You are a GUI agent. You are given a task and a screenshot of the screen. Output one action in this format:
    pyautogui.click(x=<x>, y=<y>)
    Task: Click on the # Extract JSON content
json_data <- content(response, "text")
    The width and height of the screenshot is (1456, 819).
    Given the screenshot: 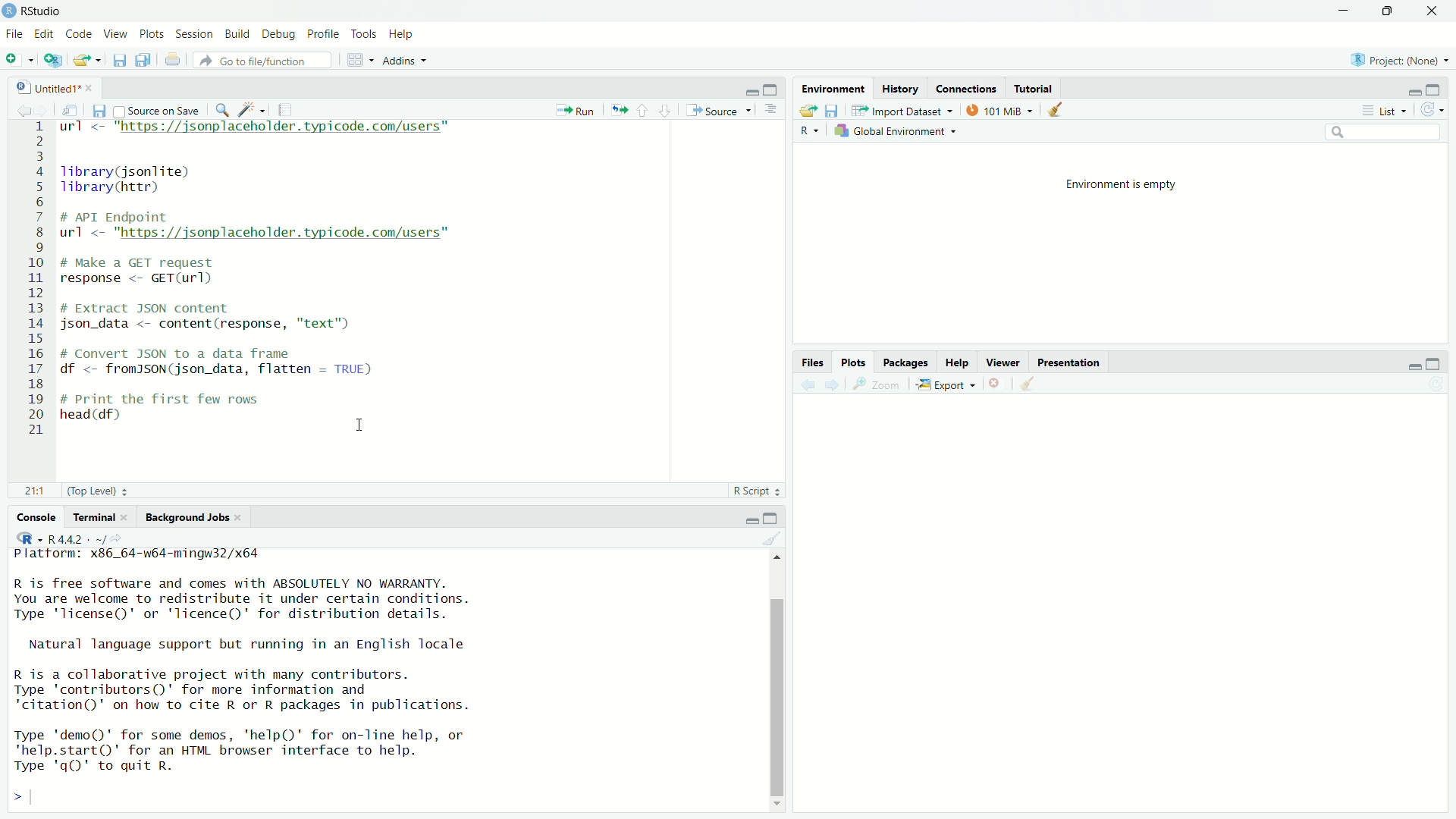 What is the action you would take?
    pyautogui.click(x=209, y=315)
    